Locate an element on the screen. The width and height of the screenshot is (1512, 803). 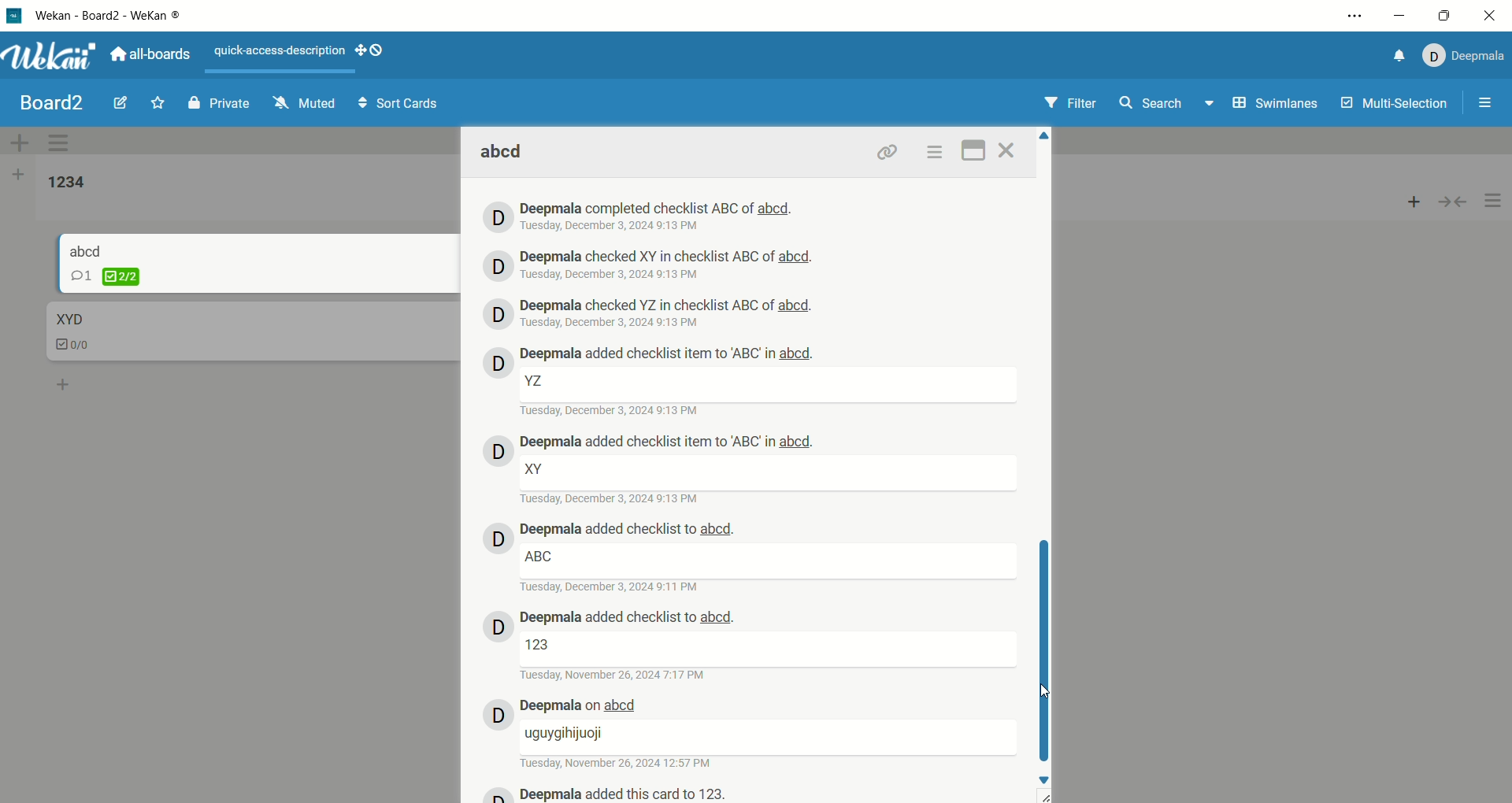
date and time is located at coordinates (612, 499).